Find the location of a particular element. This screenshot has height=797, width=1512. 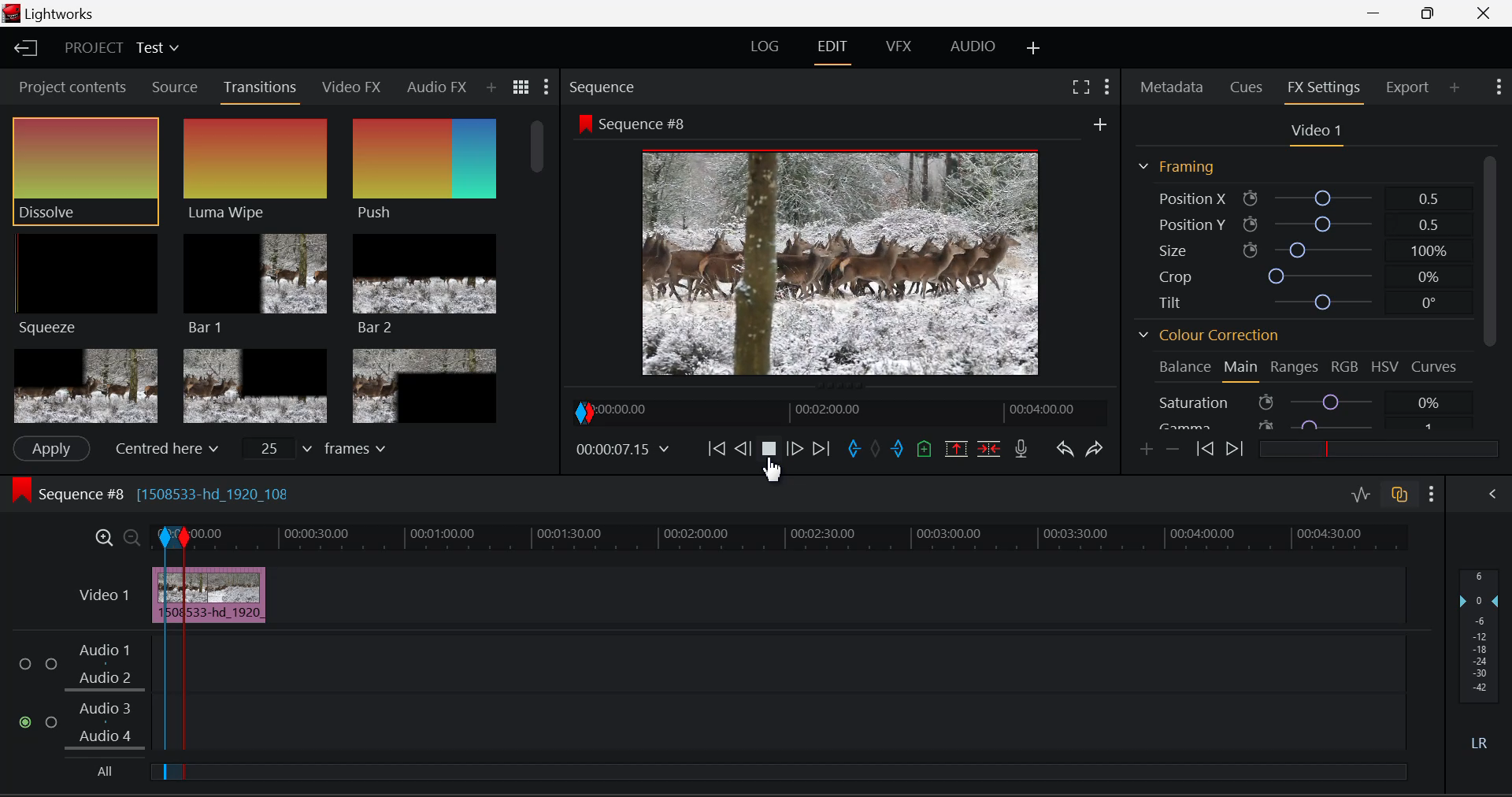

Video Layer is located at coordinates (104, 595).